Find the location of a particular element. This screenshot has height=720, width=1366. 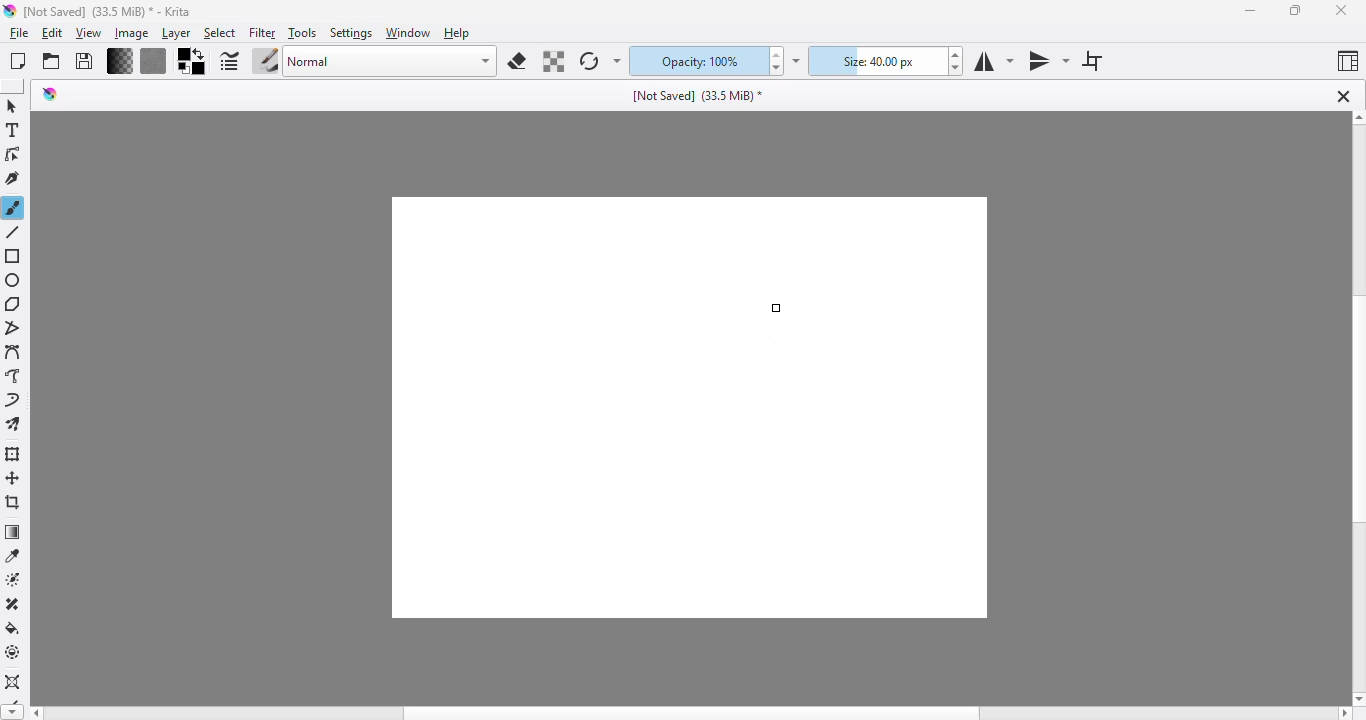

fill patterns is located at coordinates (154, 62).